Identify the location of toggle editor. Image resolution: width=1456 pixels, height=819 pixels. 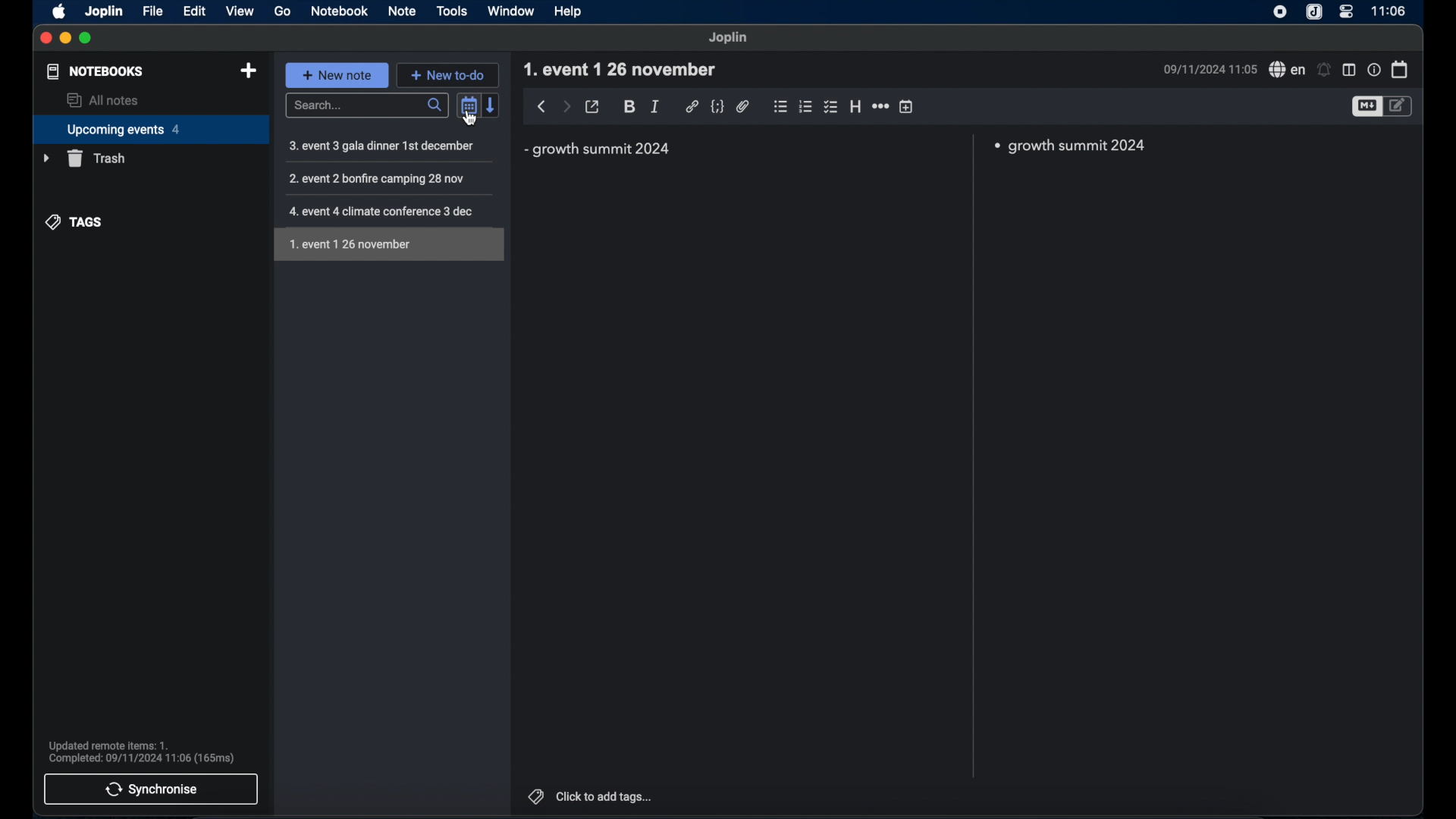
(1366, 108).